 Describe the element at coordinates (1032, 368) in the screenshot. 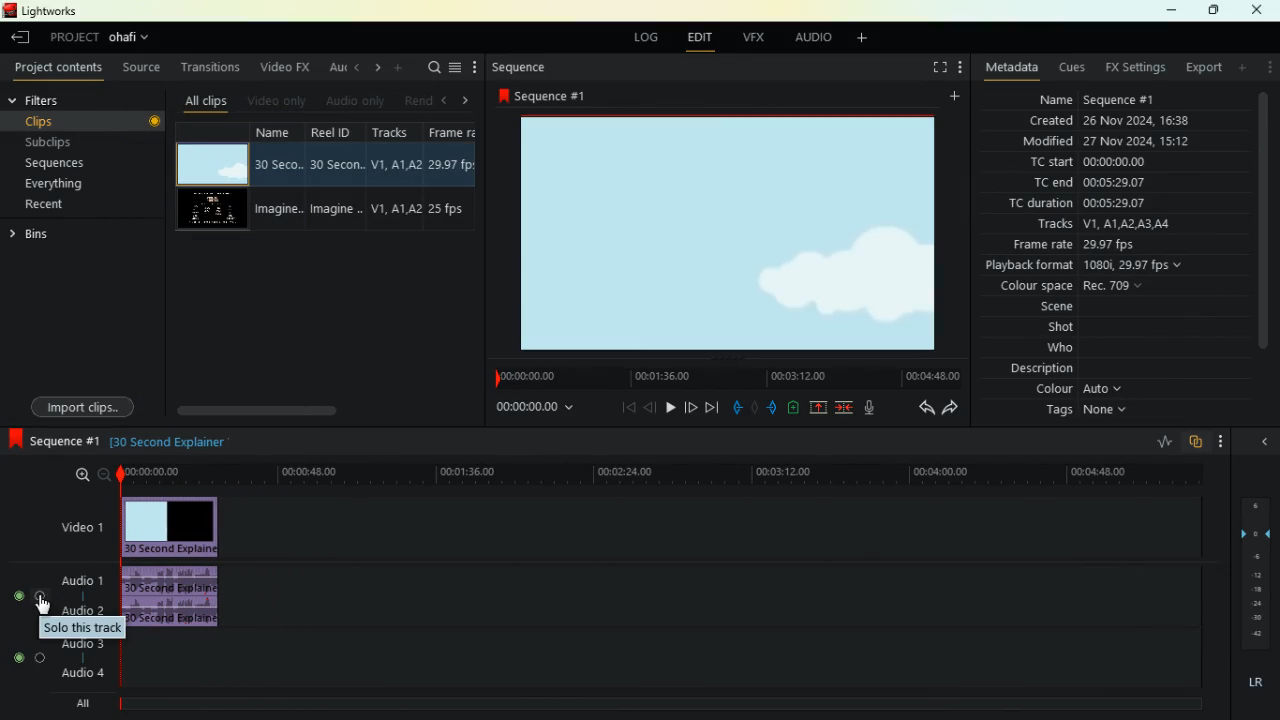

I see `description` at that location.